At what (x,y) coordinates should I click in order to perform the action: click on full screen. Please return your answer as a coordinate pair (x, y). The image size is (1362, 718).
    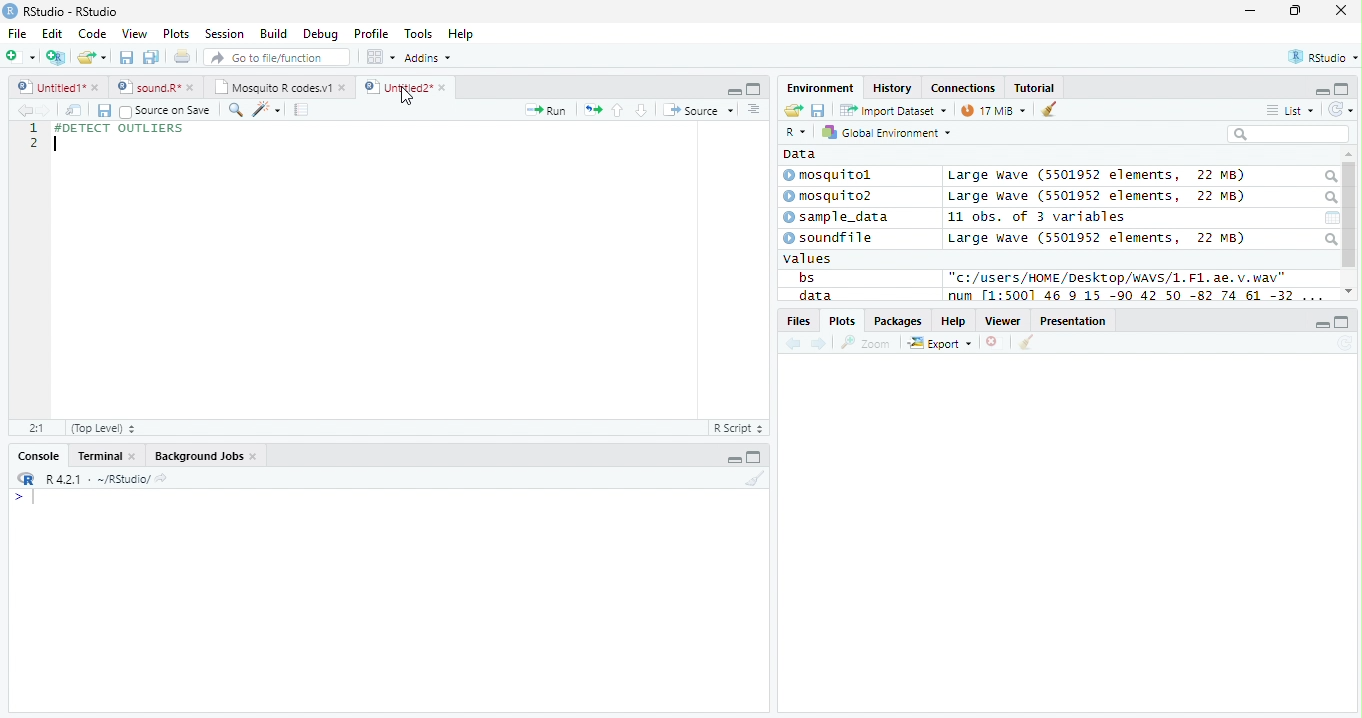
    Looking at the image, I should click on (754, 456).